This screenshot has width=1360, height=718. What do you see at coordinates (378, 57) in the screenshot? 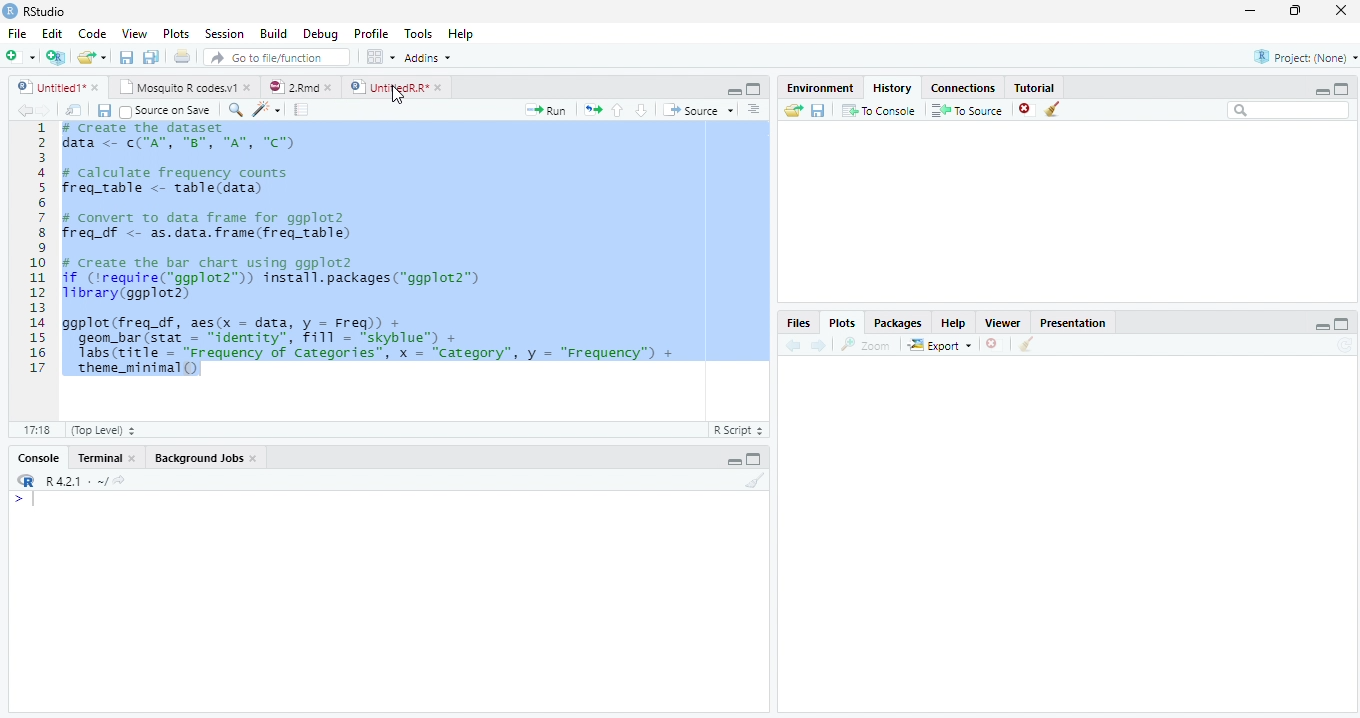
I see `Workspace panes` at bounding box center [378, 57].